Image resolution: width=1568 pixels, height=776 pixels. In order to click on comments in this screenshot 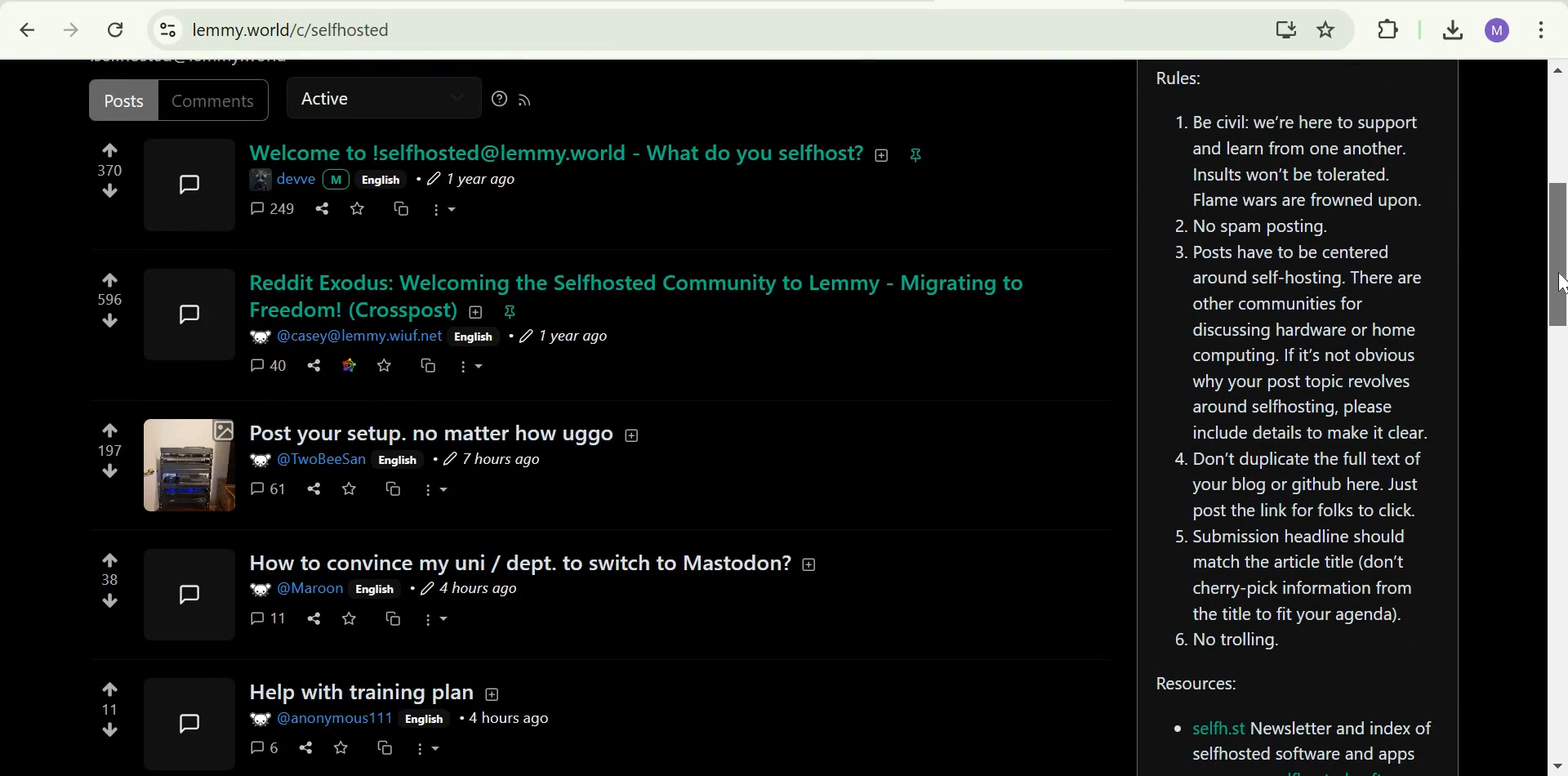, I will do `click(269, 210)`.